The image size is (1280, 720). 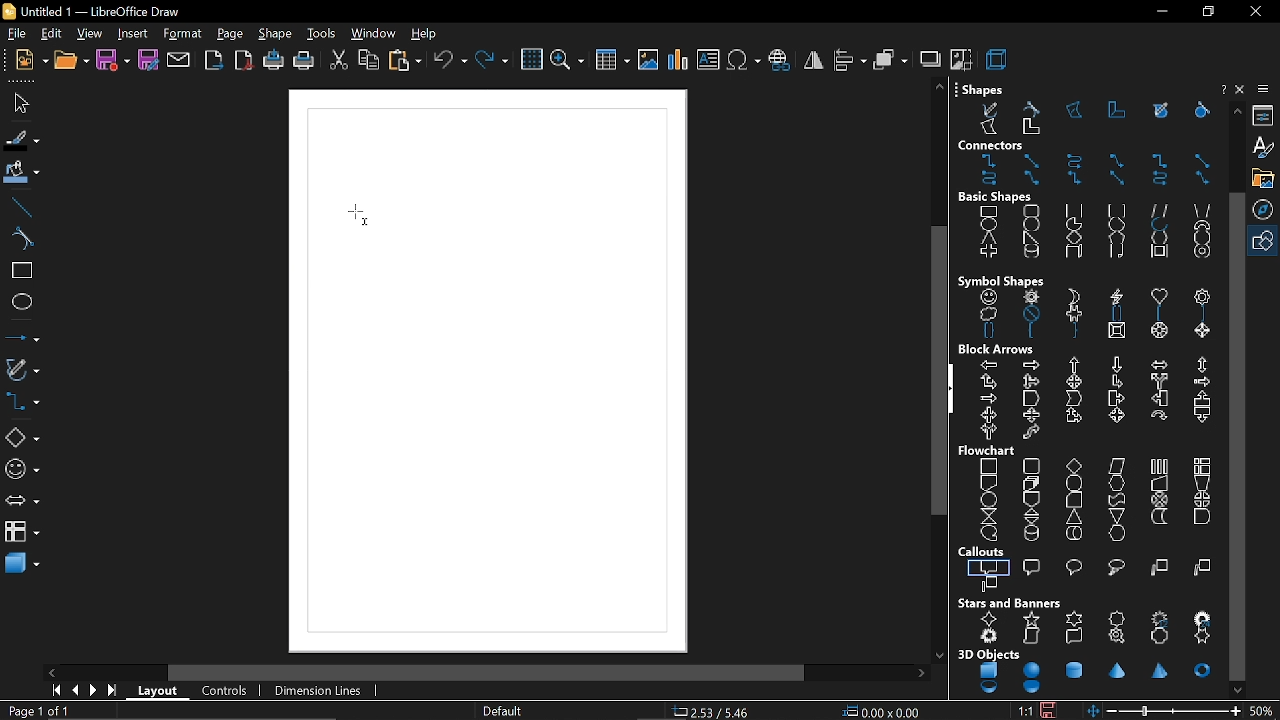 What do you see at coordinates (1203, 569) in the screenshot?
I see `line 2` at bounding box center [1203, 569].